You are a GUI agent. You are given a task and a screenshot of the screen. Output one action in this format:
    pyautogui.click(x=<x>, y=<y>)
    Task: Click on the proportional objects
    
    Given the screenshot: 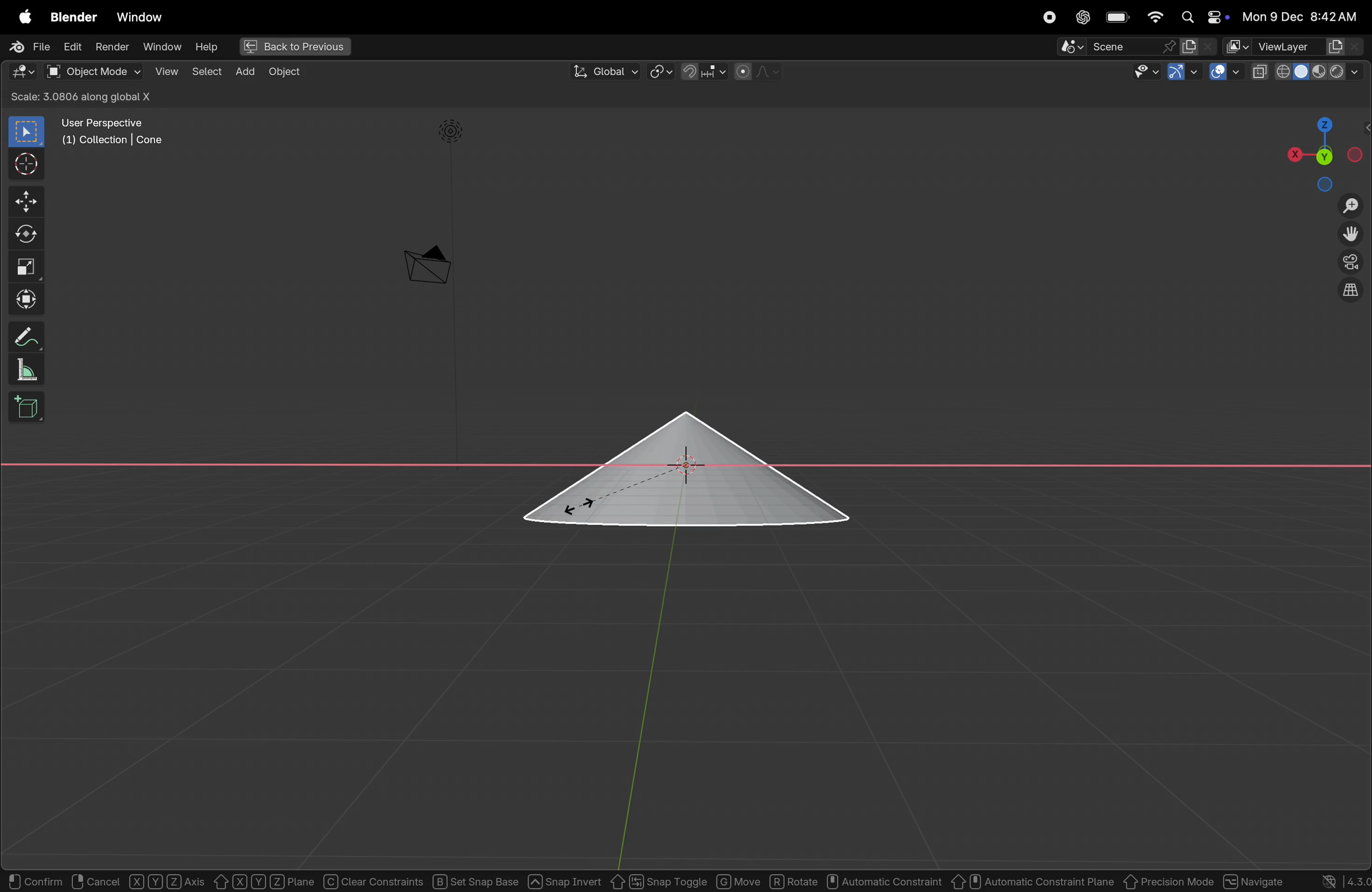 What is the action you would take?
    pyautogui.click(x=760, y=71)
    